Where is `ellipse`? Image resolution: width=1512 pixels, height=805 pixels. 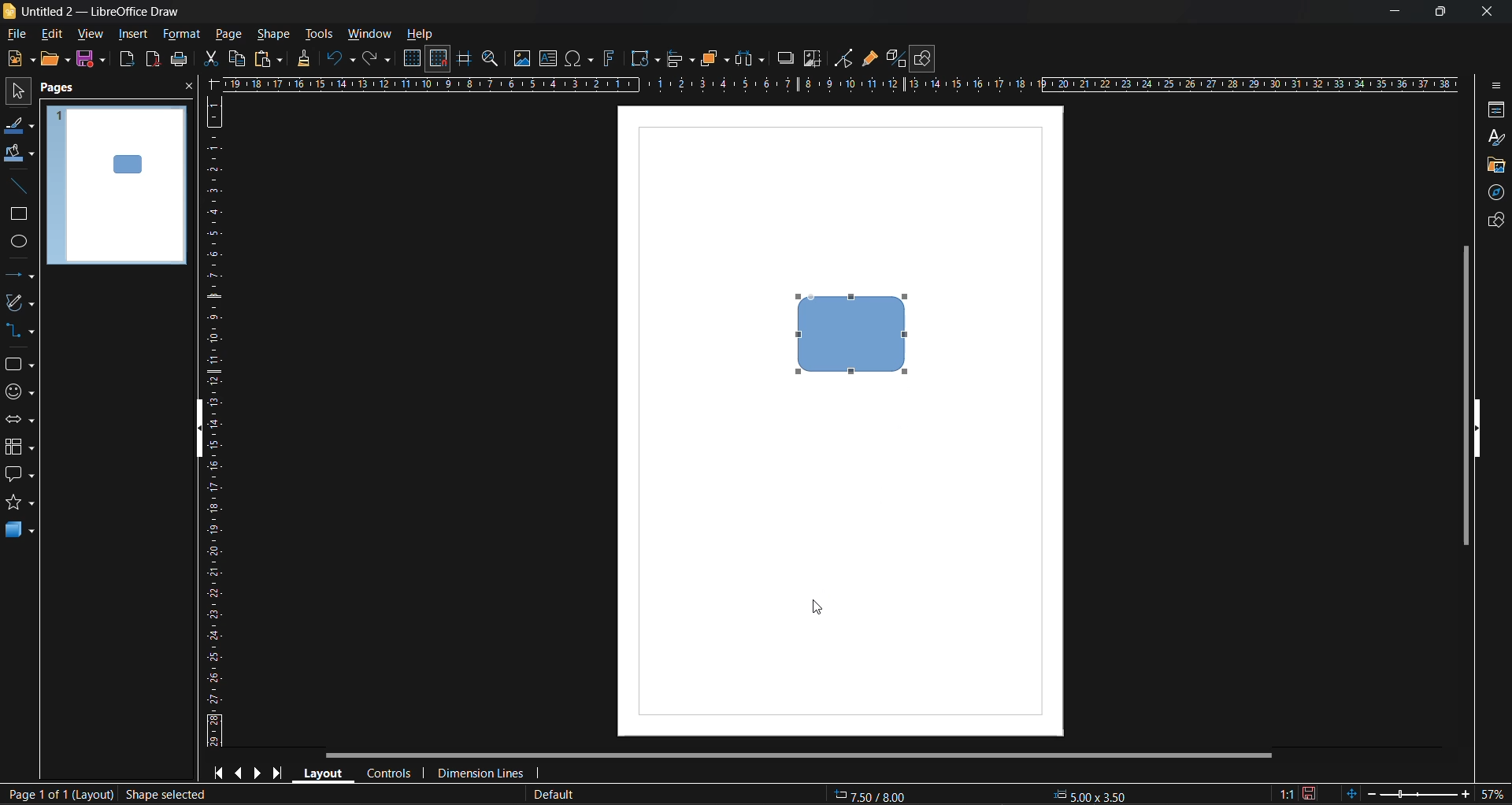
ellipse is located at coordinates (20, 243).